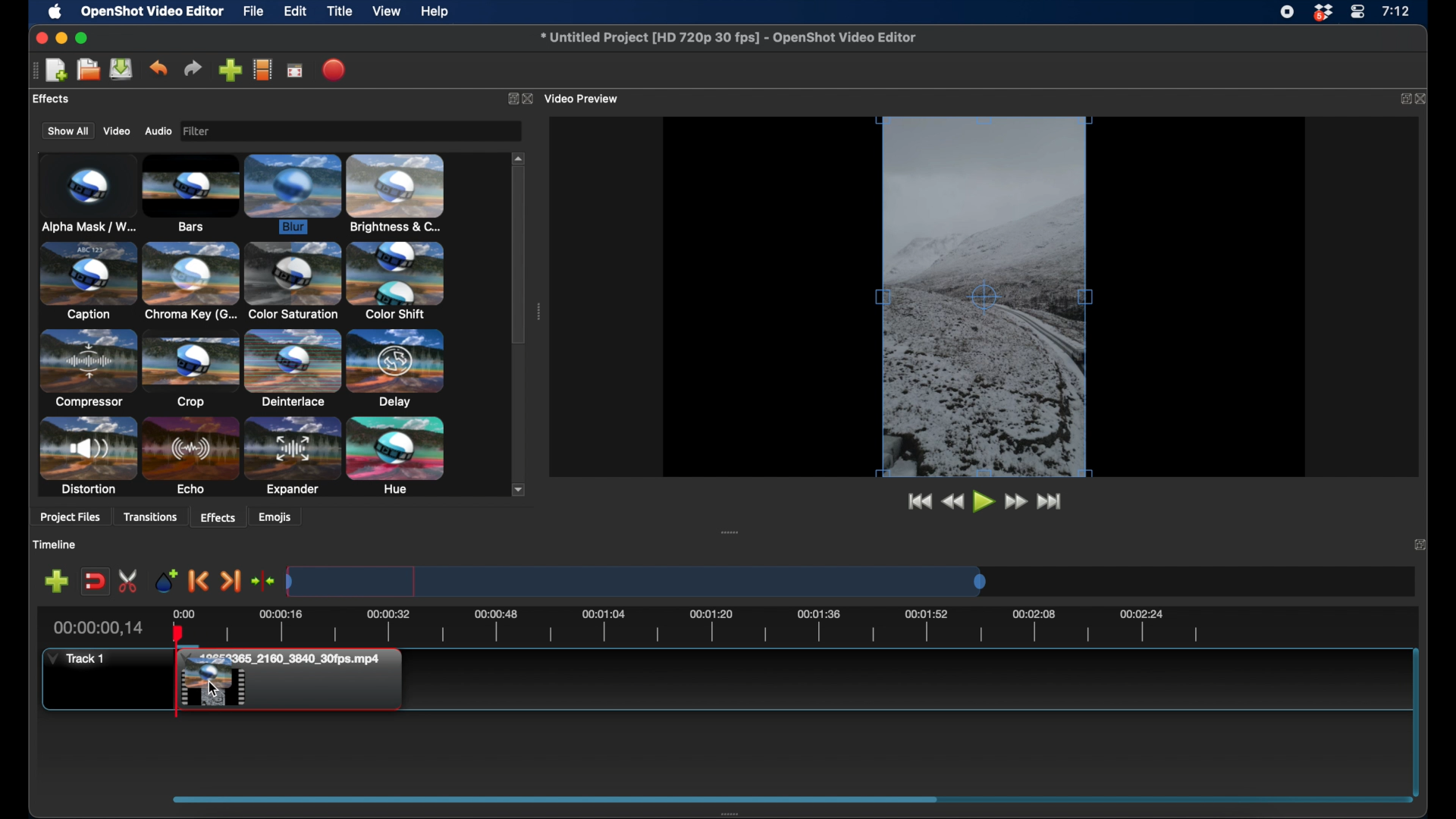 This screenshot has width=1456, height=819. Describe the element at coordinates (519, 157) in the screenshot. I see `scroll up arrow` at that location.